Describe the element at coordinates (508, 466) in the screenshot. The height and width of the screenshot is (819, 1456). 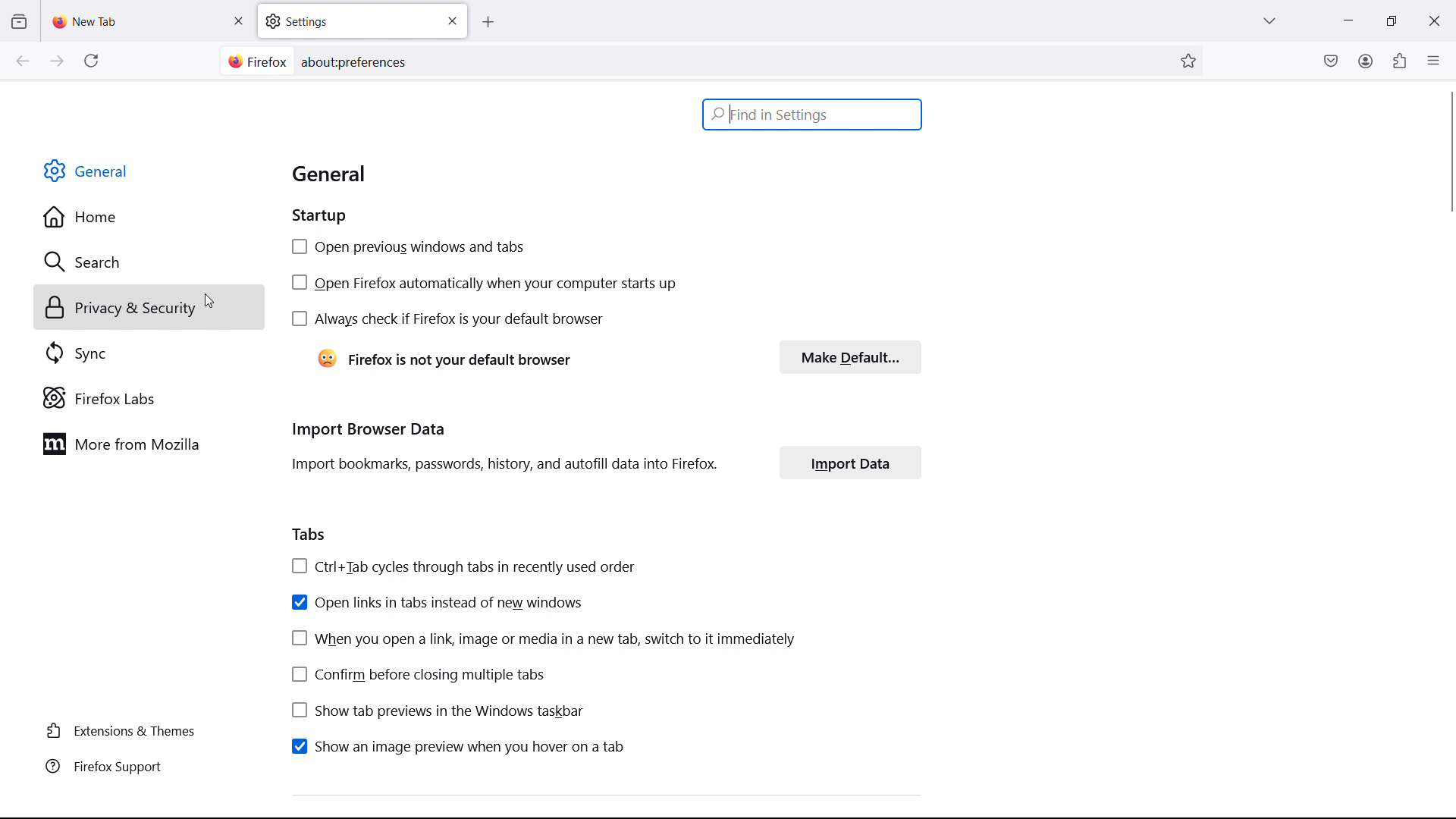
I see `Import bookmarks, passwords, history, and autofill data into Firefox.` at that location.